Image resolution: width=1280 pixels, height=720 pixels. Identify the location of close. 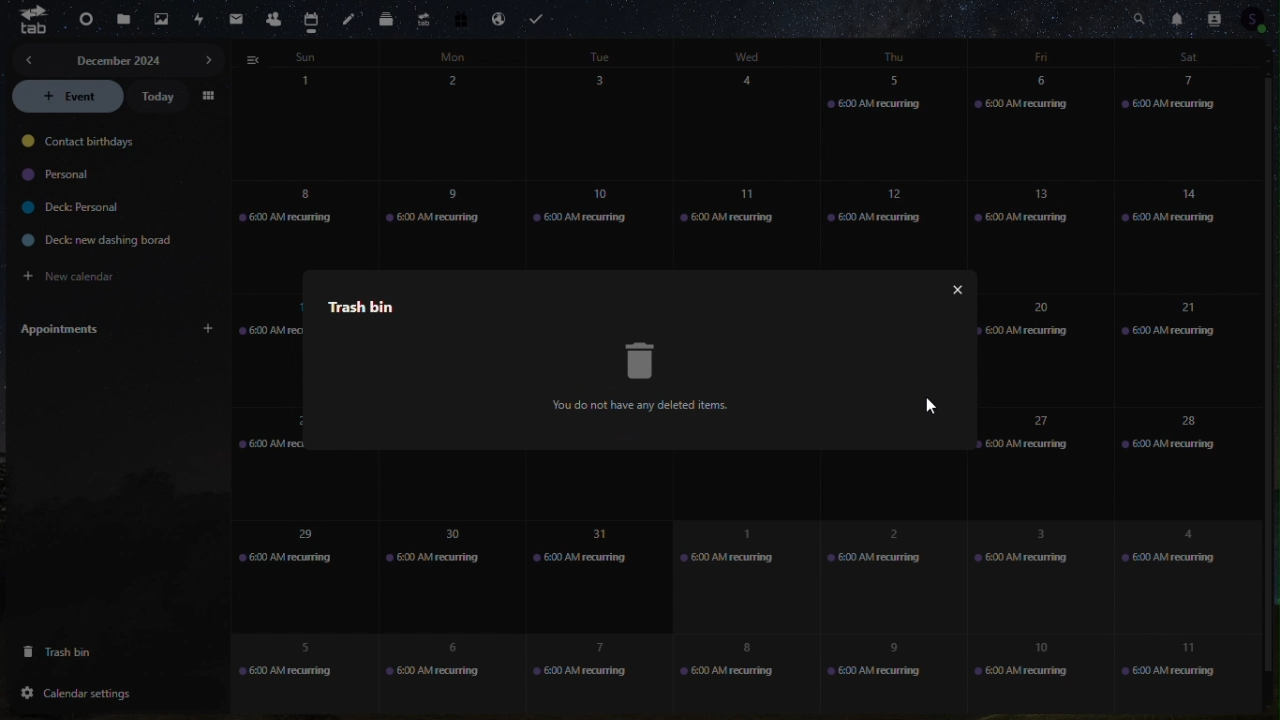
(951, 292).